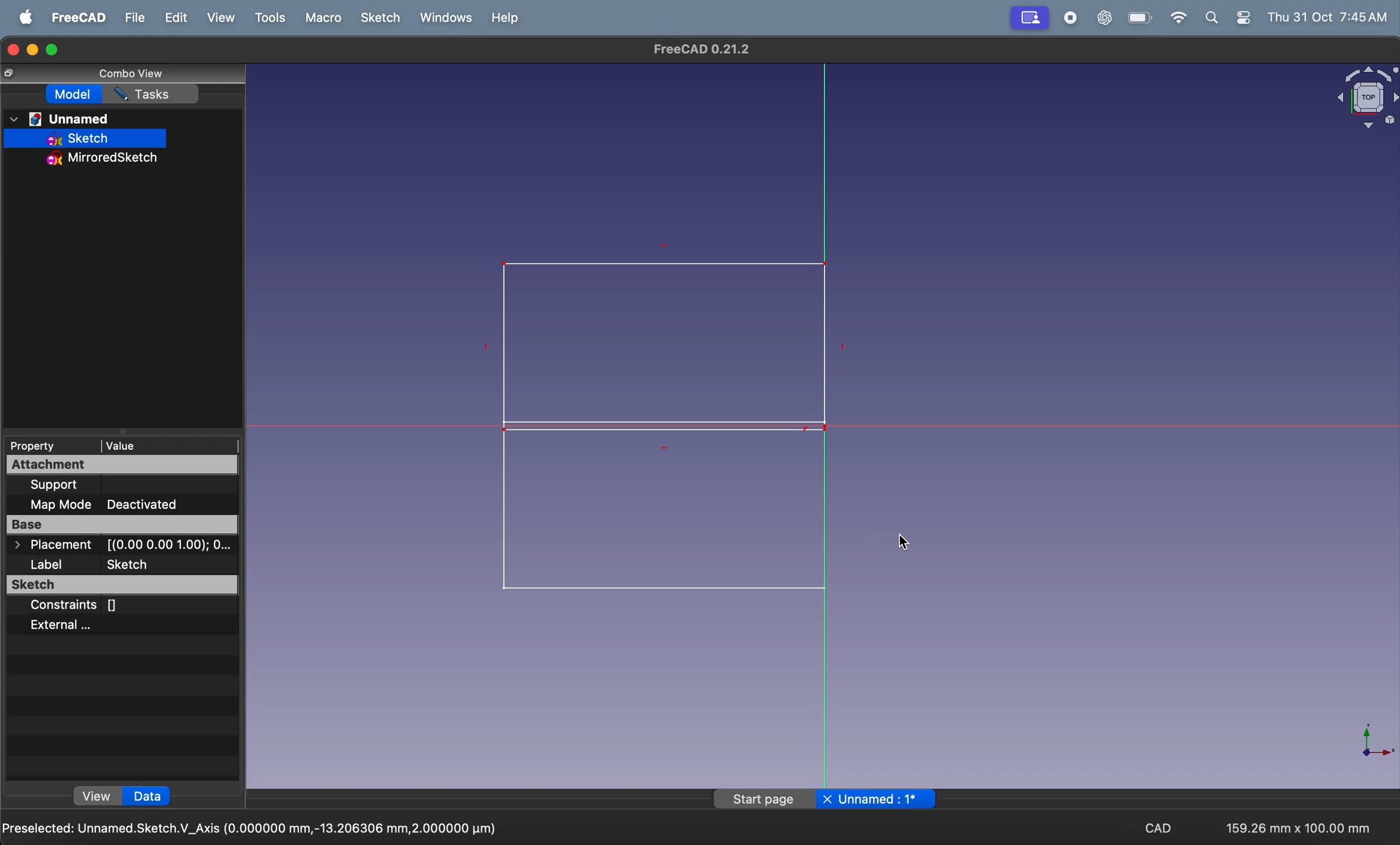  What do you see at coordinates (157, 95) in the screenshot?
I see `task` at bounding box center [157, 95].